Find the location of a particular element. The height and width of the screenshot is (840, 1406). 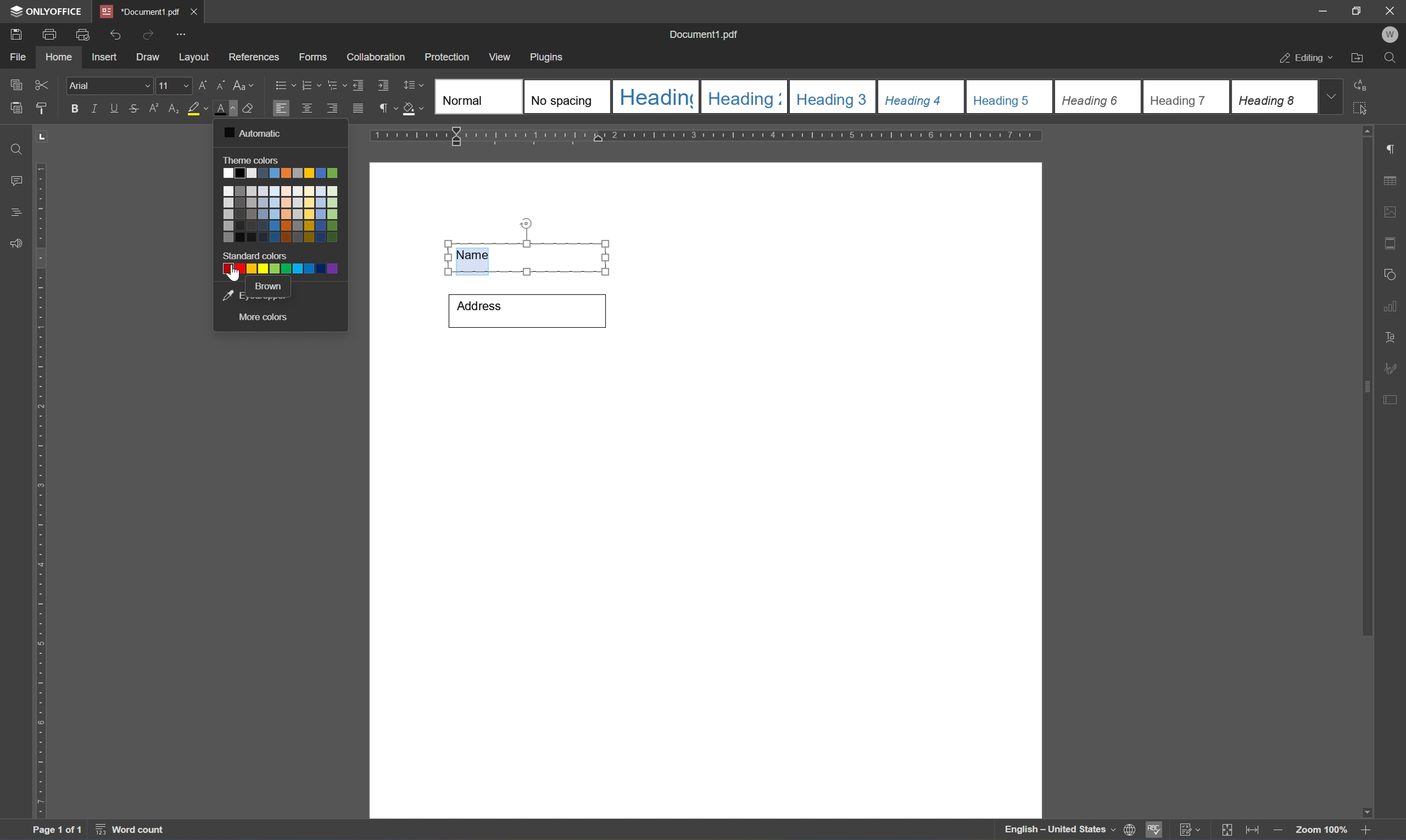

type of slides is located at coordinates (872, 96).